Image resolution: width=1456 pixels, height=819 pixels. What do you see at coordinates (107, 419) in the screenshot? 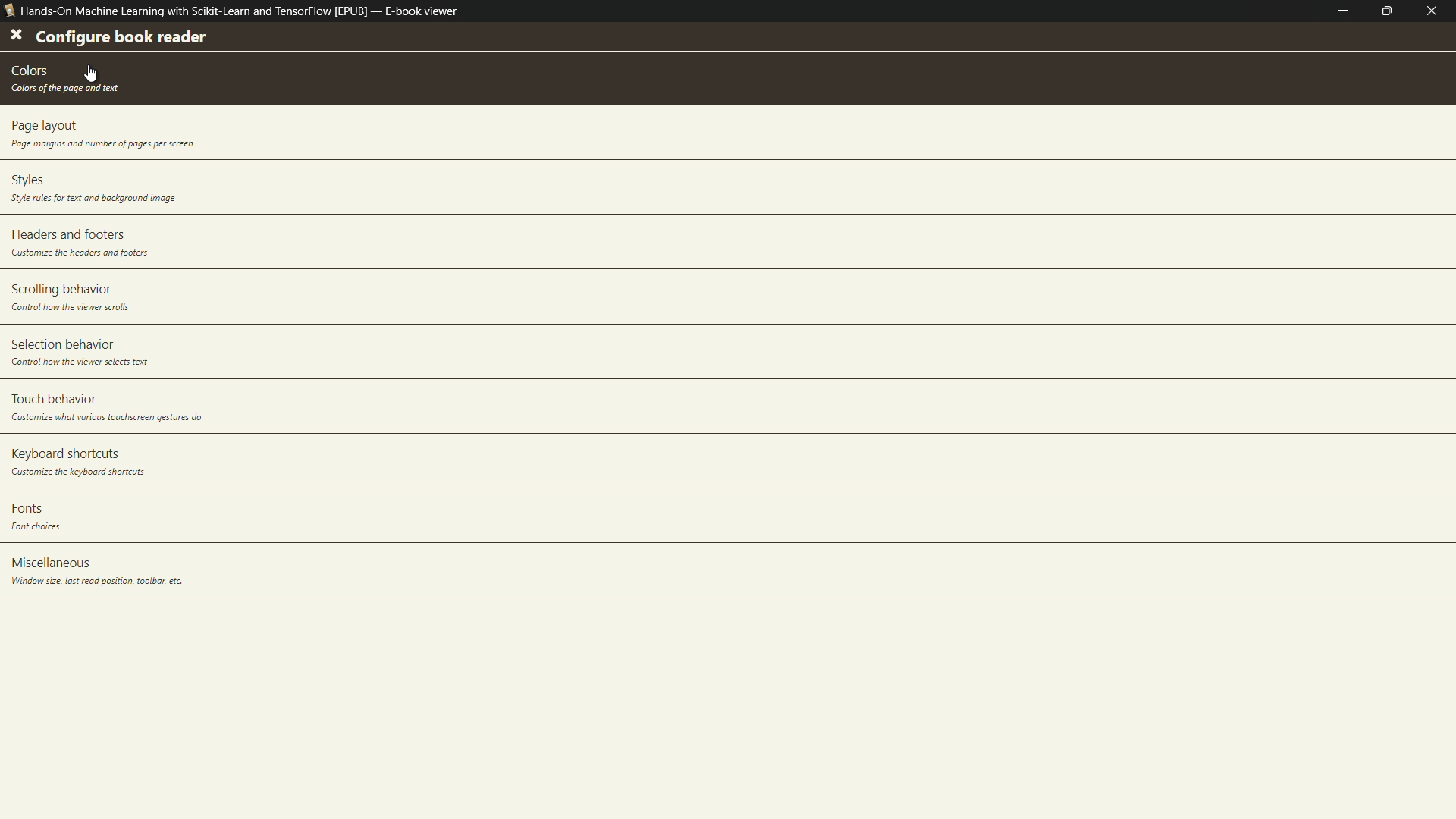
I see `text` at bounding box center [107, 419].